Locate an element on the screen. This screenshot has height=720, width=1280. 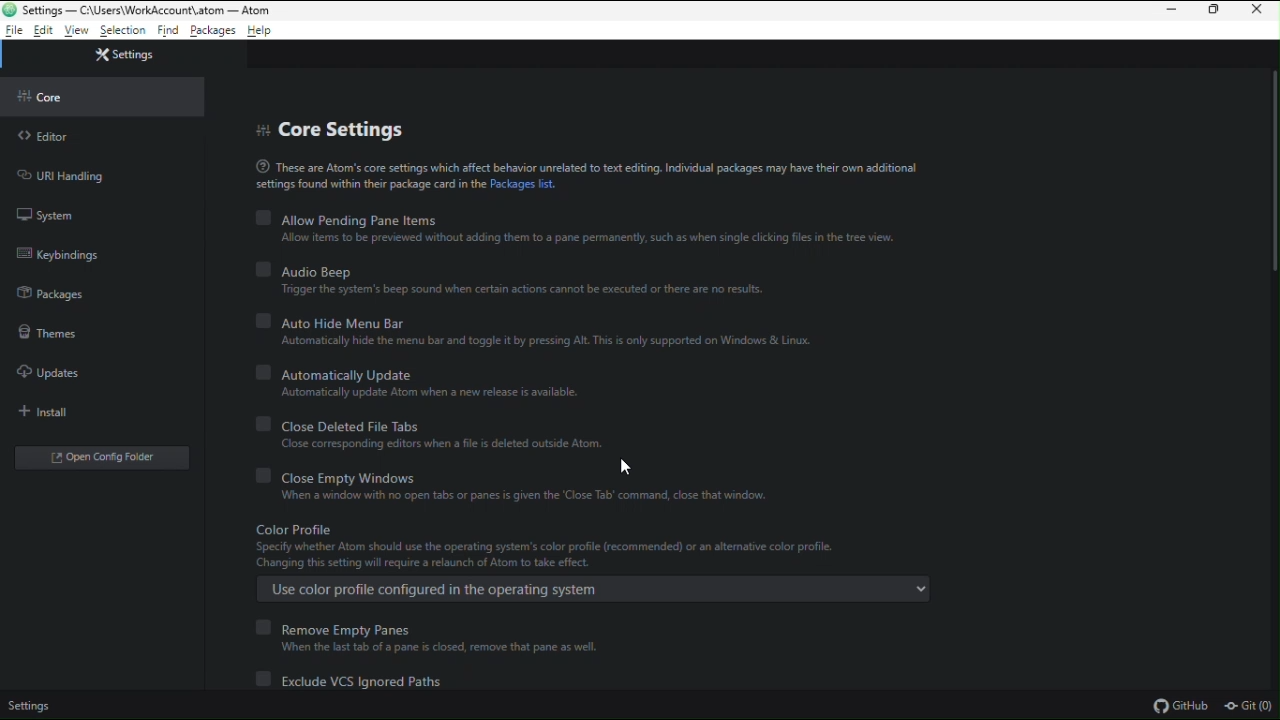
file name and file path is located at coordinates (139, 10).